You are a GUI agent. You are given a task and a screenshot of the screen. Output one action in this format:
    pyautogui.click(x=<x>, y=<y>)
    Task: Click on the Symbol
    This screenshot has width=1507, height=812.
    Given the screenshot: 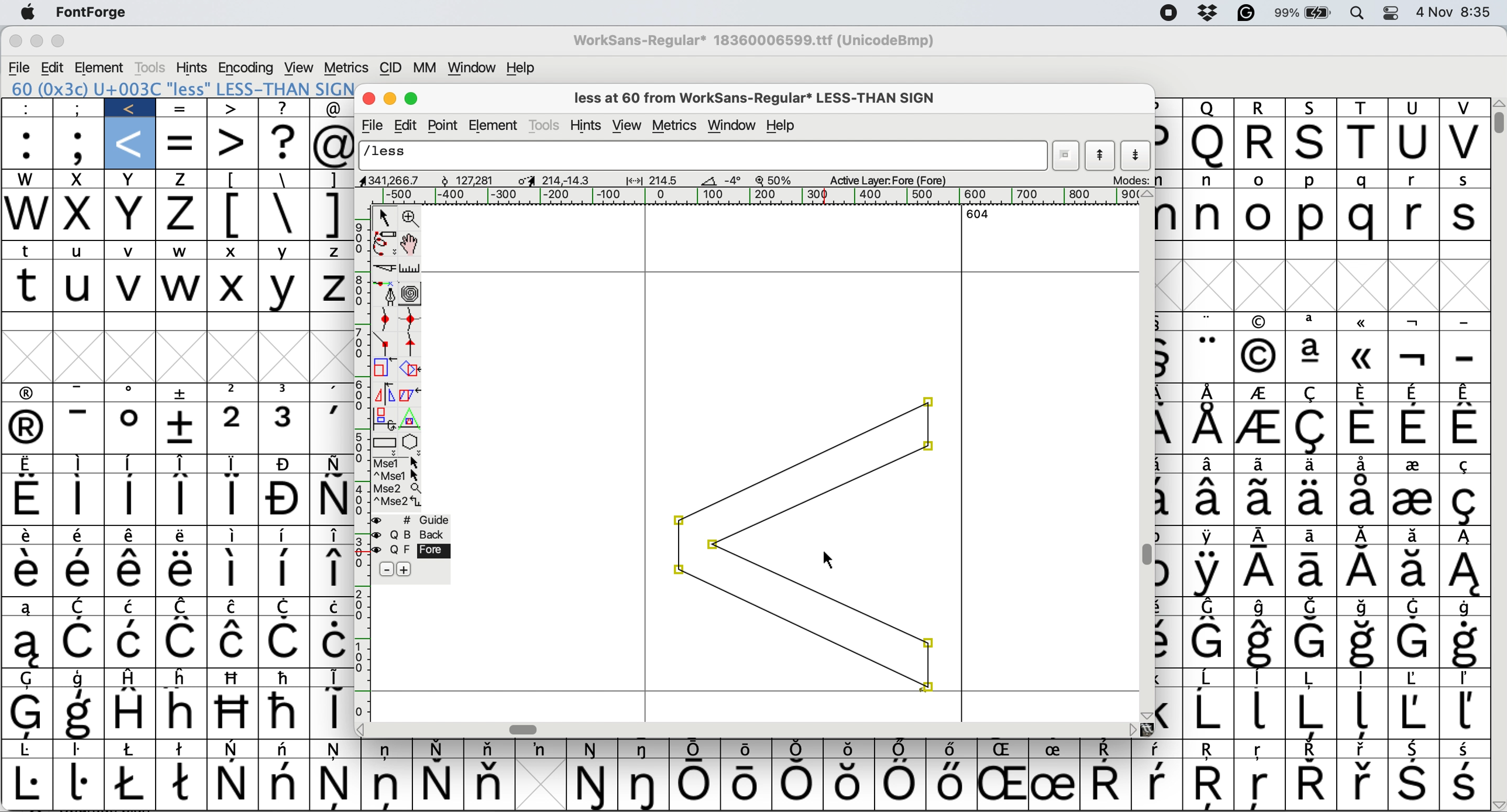 What is the action you would take?
    pyautogui.click(x=331, y=713)
    